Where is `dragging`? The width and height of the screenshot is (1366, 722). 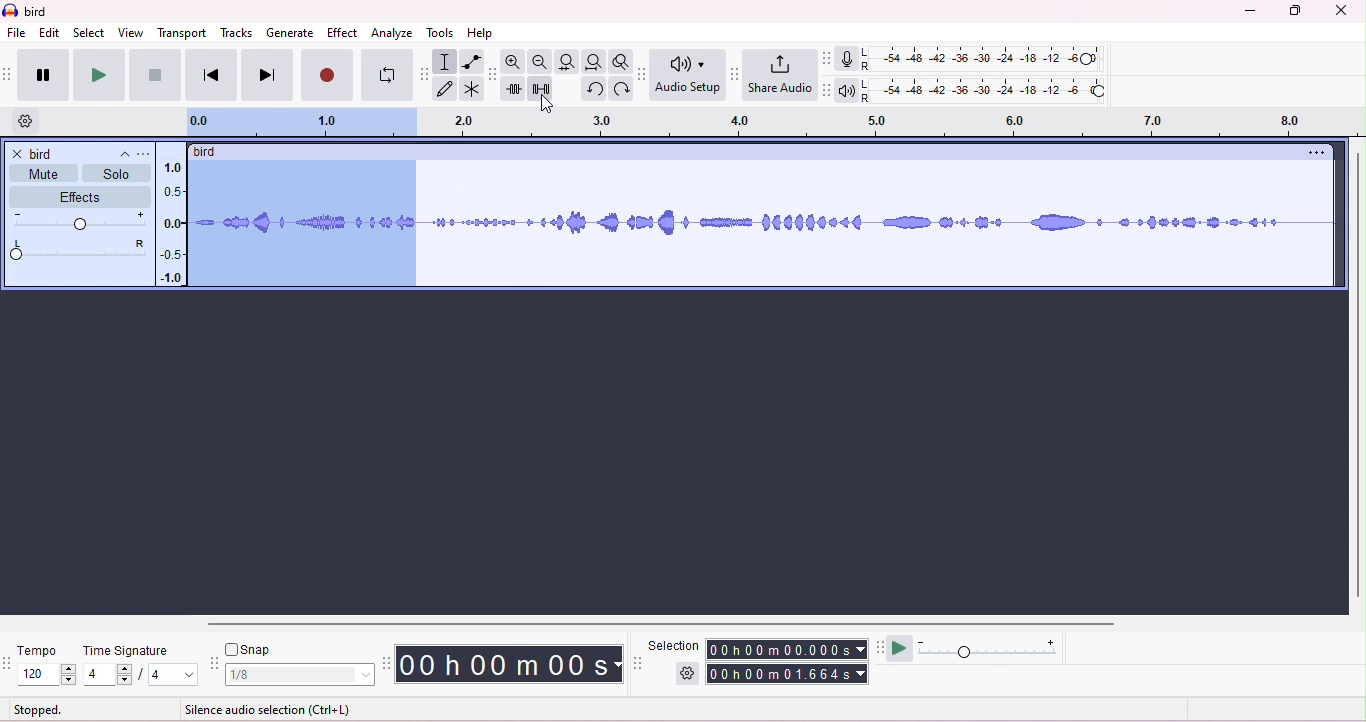
dragging is located at coordinates (301, 222).